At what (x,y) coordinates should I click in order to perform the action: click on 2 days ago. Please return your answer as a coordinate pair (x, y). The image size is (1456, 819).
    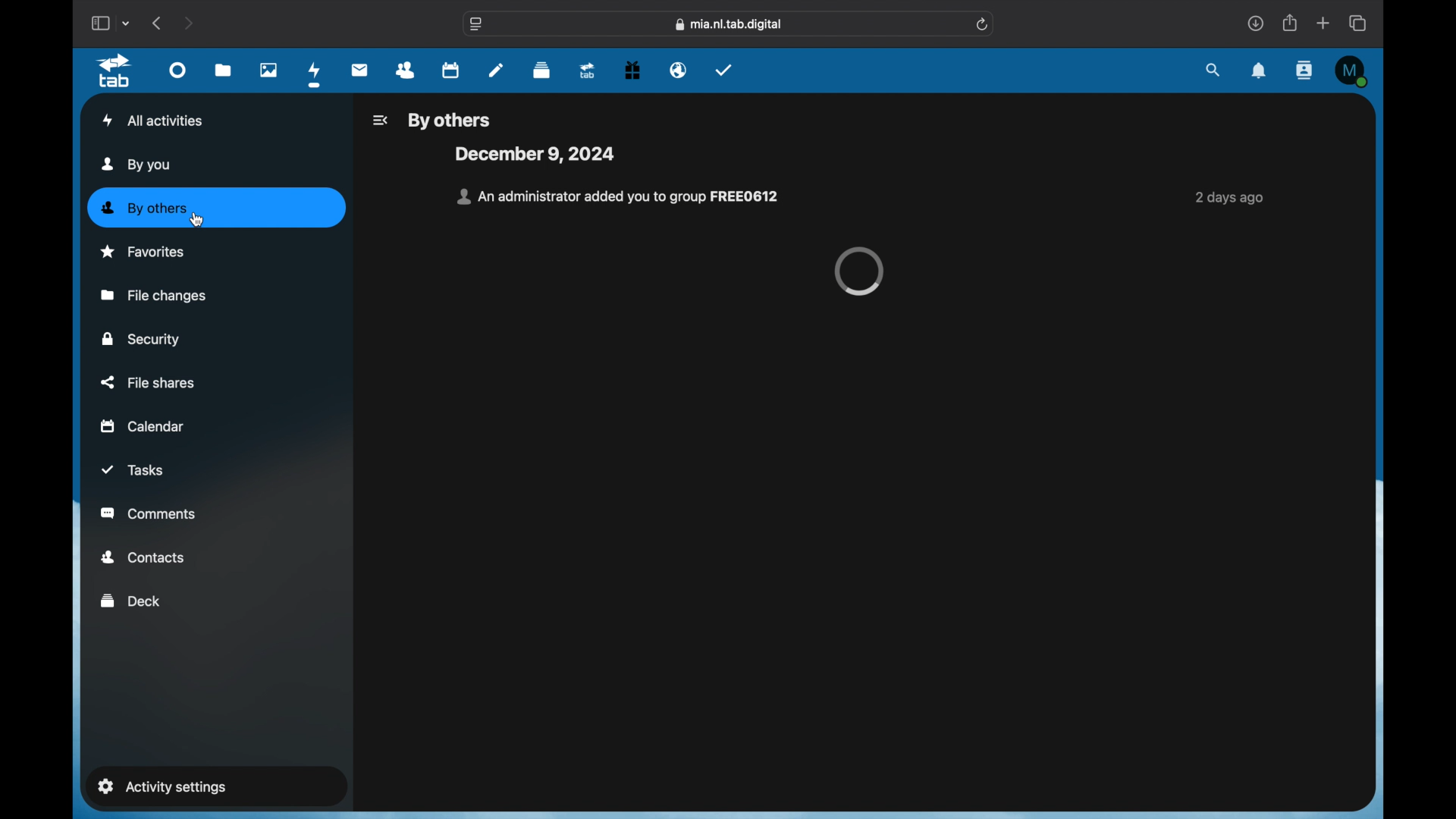
    Looking at the image, I should click on (1228, 197).